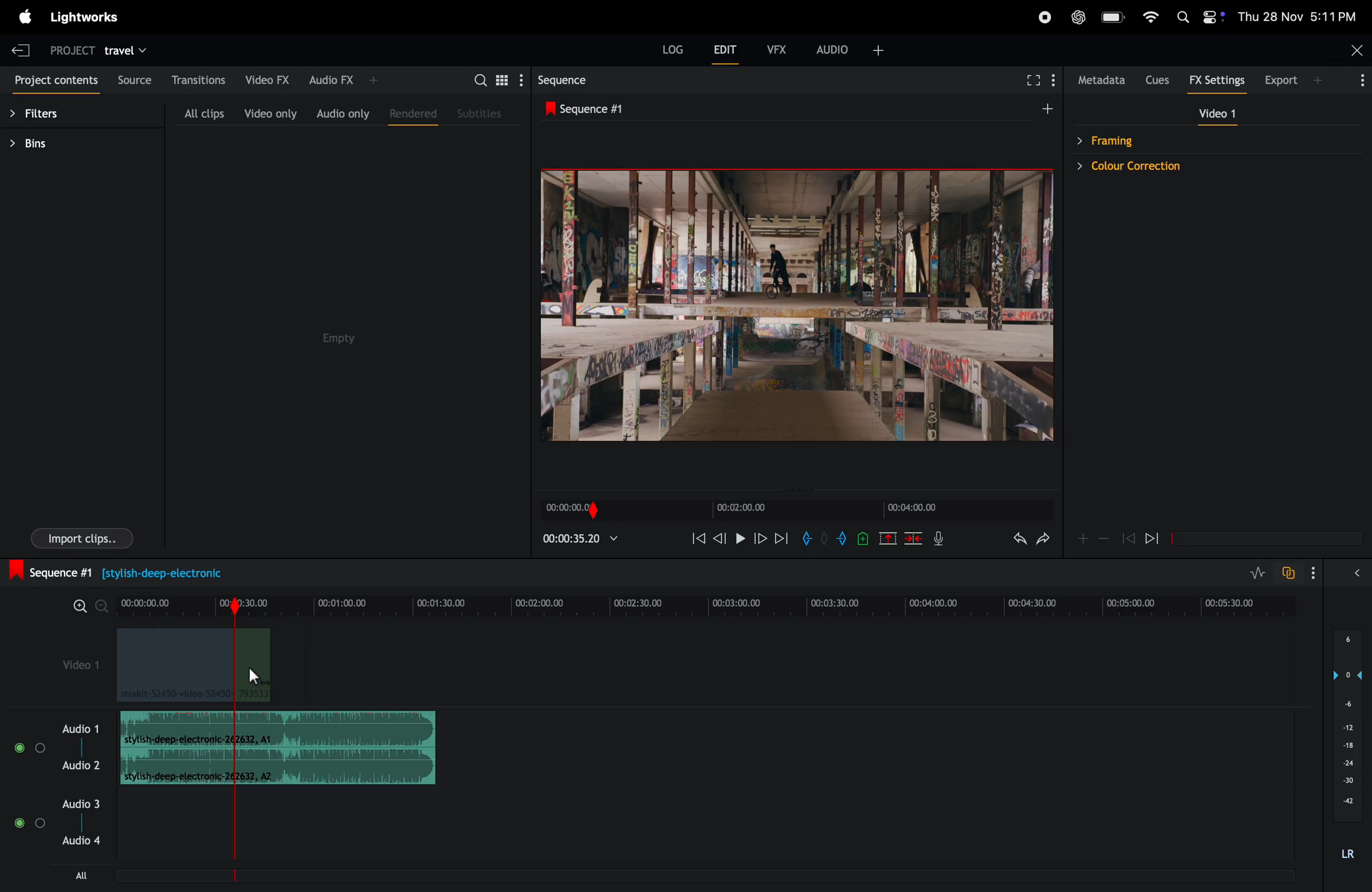 This screenshot has width=1372, height=892. Describe the element at coordinates (344, 114) in the screenshot. I see `audio only` at that location.